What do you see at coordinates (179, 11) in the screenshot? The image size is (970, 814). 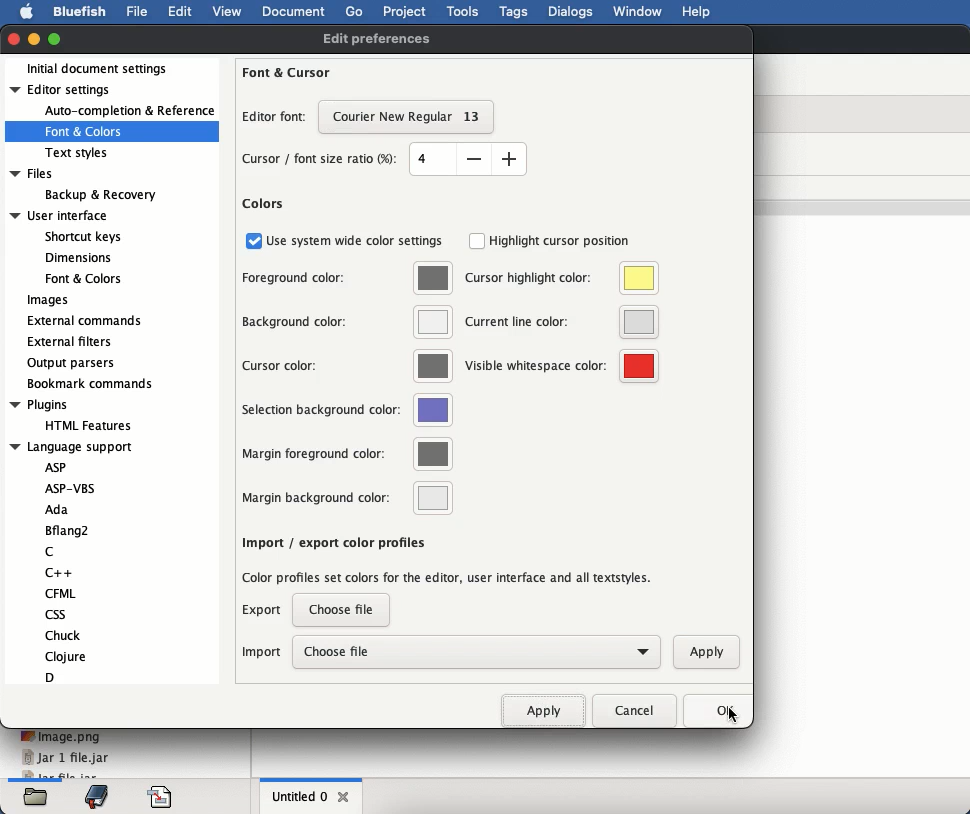 I see `edit` at bounding box center [179, 11].